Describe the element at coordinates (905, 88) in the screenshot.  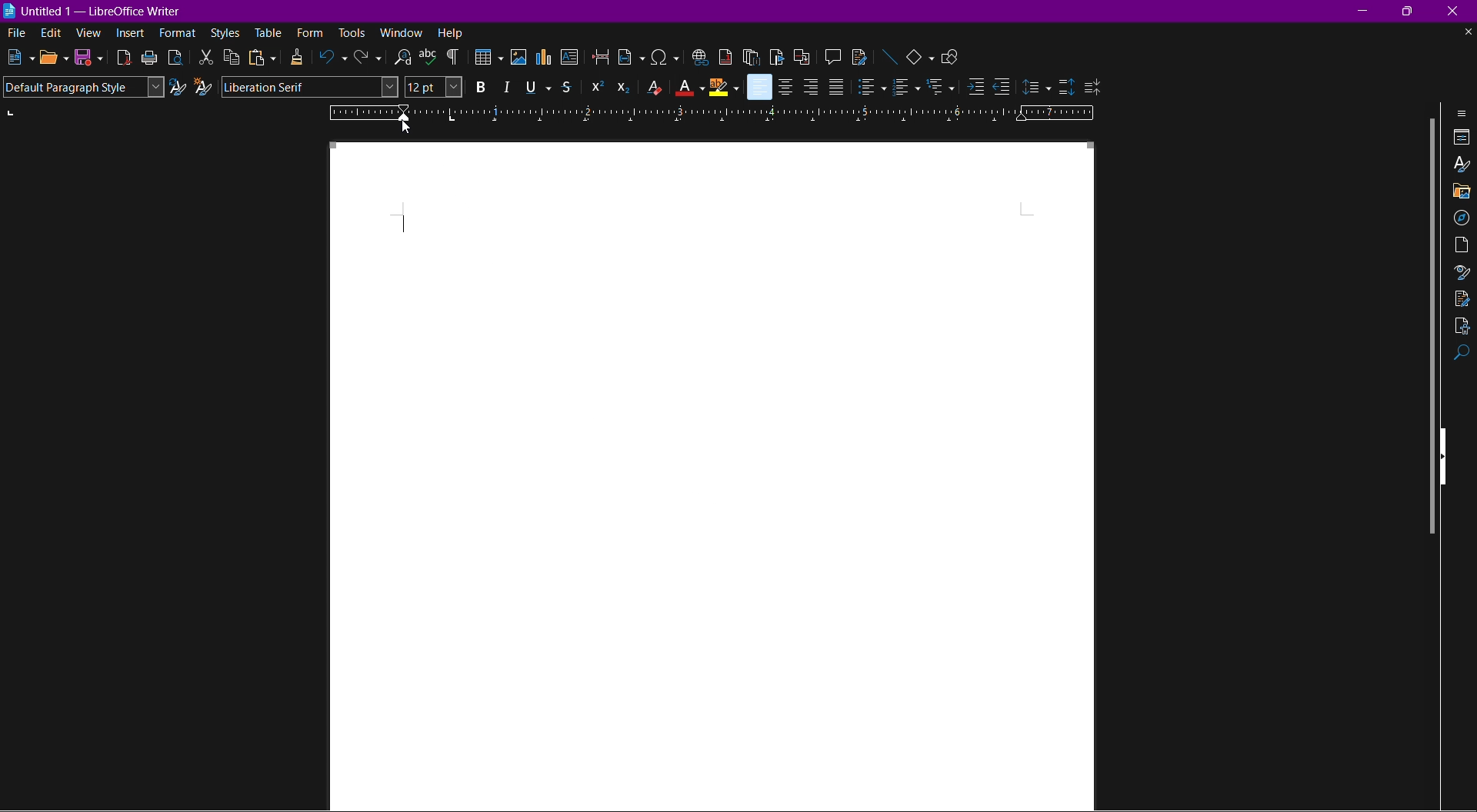
I see `Toggle Ordered List` at that location.